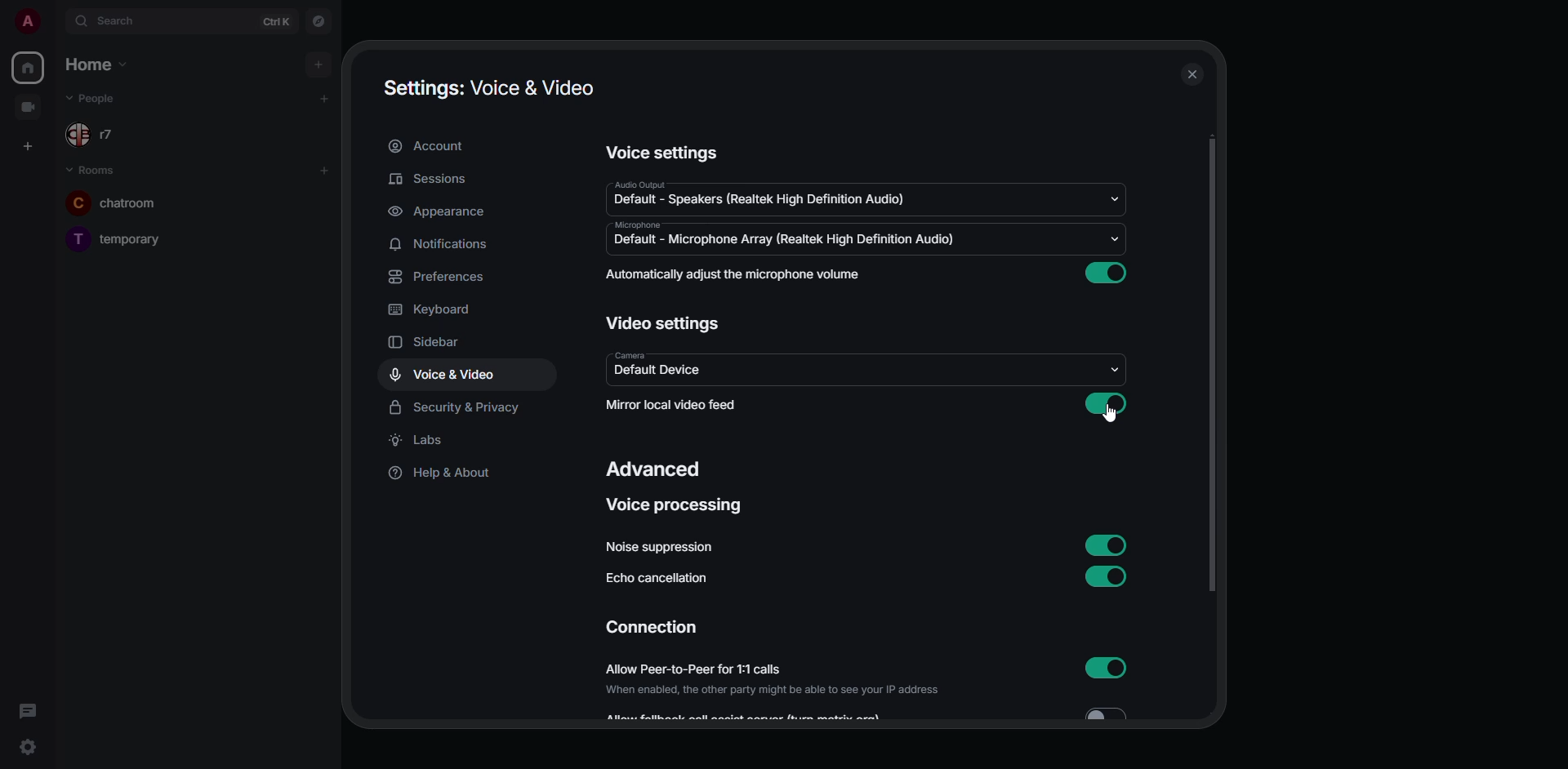 The width and height of the screenshot is (1568, 769). Describe the element at coordinates (100, 98) in the screenshot. I see `people` at that location.